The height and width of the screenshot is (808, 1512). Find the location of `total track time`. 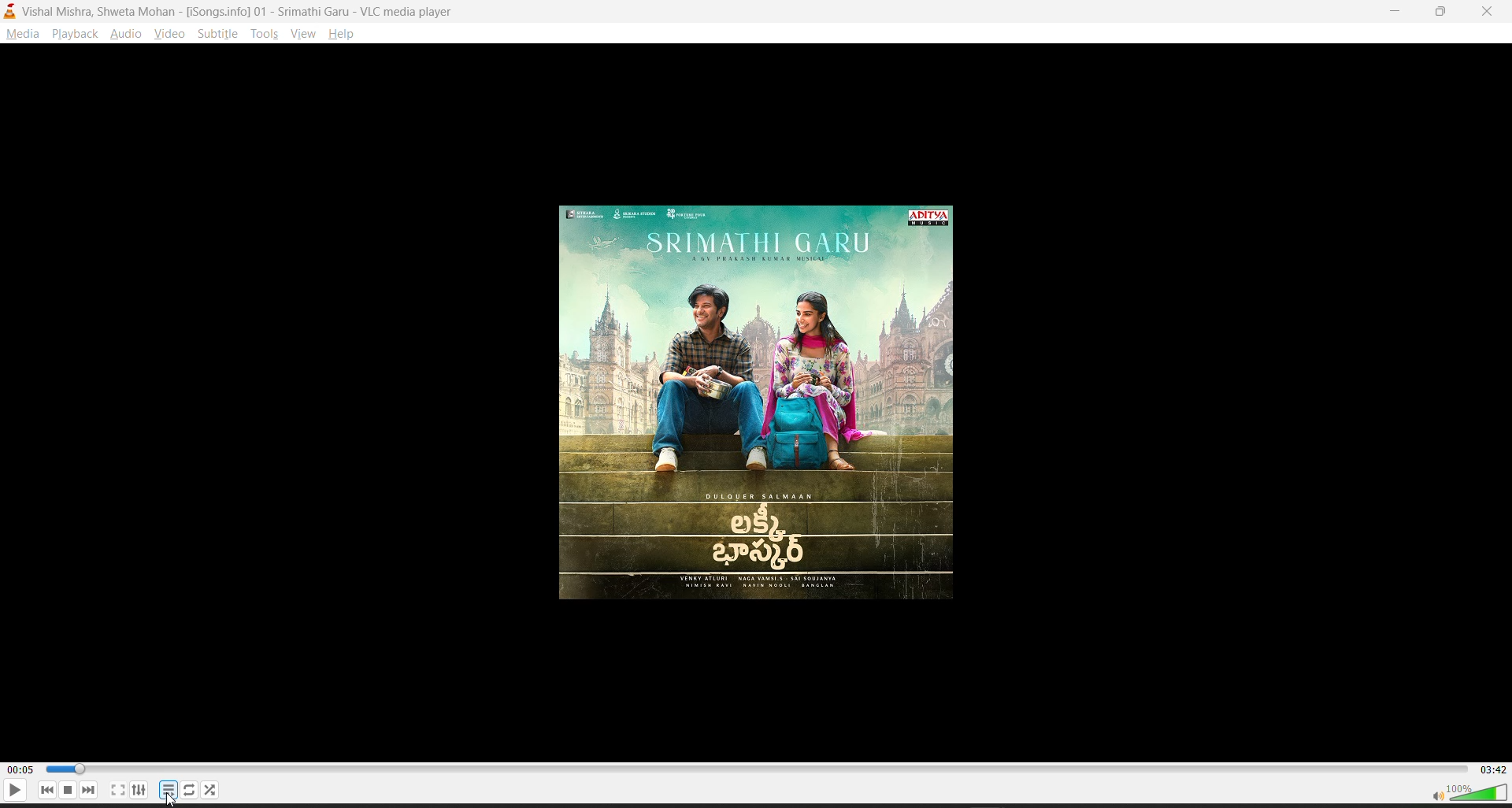

total track time is located at coordinates (1492, 769).